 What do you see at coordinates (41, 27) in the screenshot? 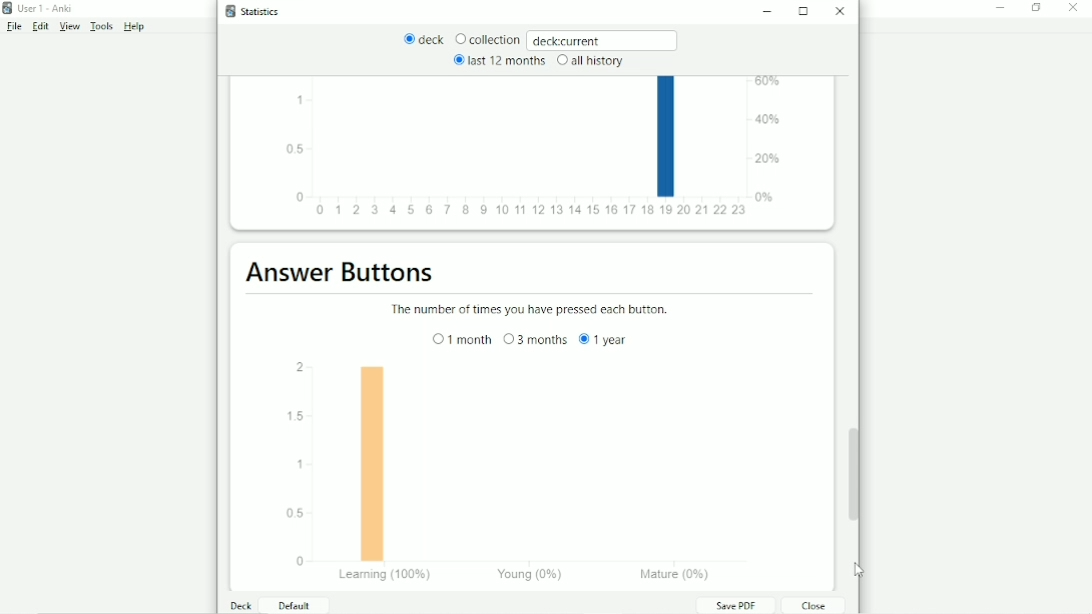
I see `Edit` at bounding box center [41, 27].